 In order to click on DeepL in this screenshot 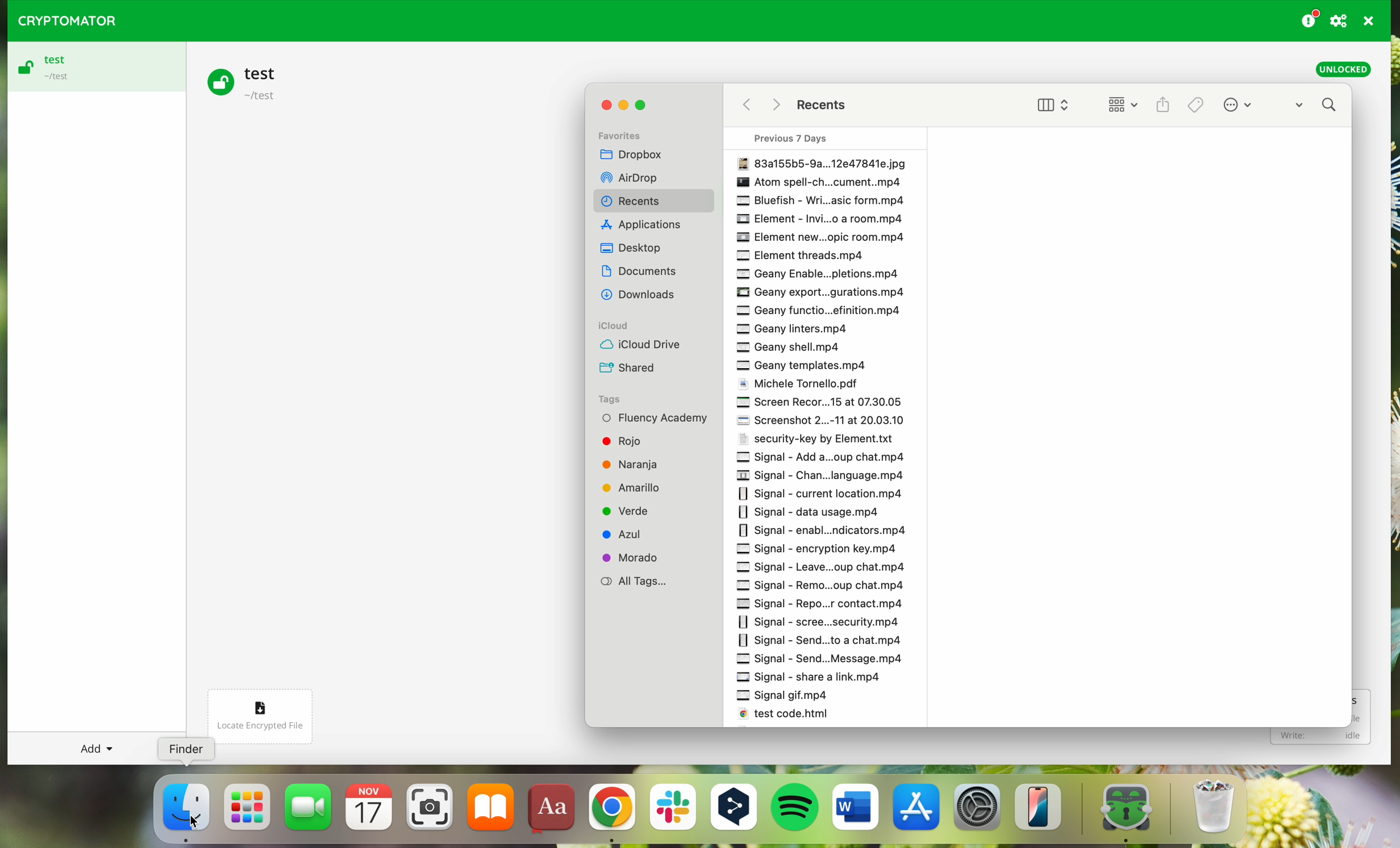, I will do `click(736, 809)`.